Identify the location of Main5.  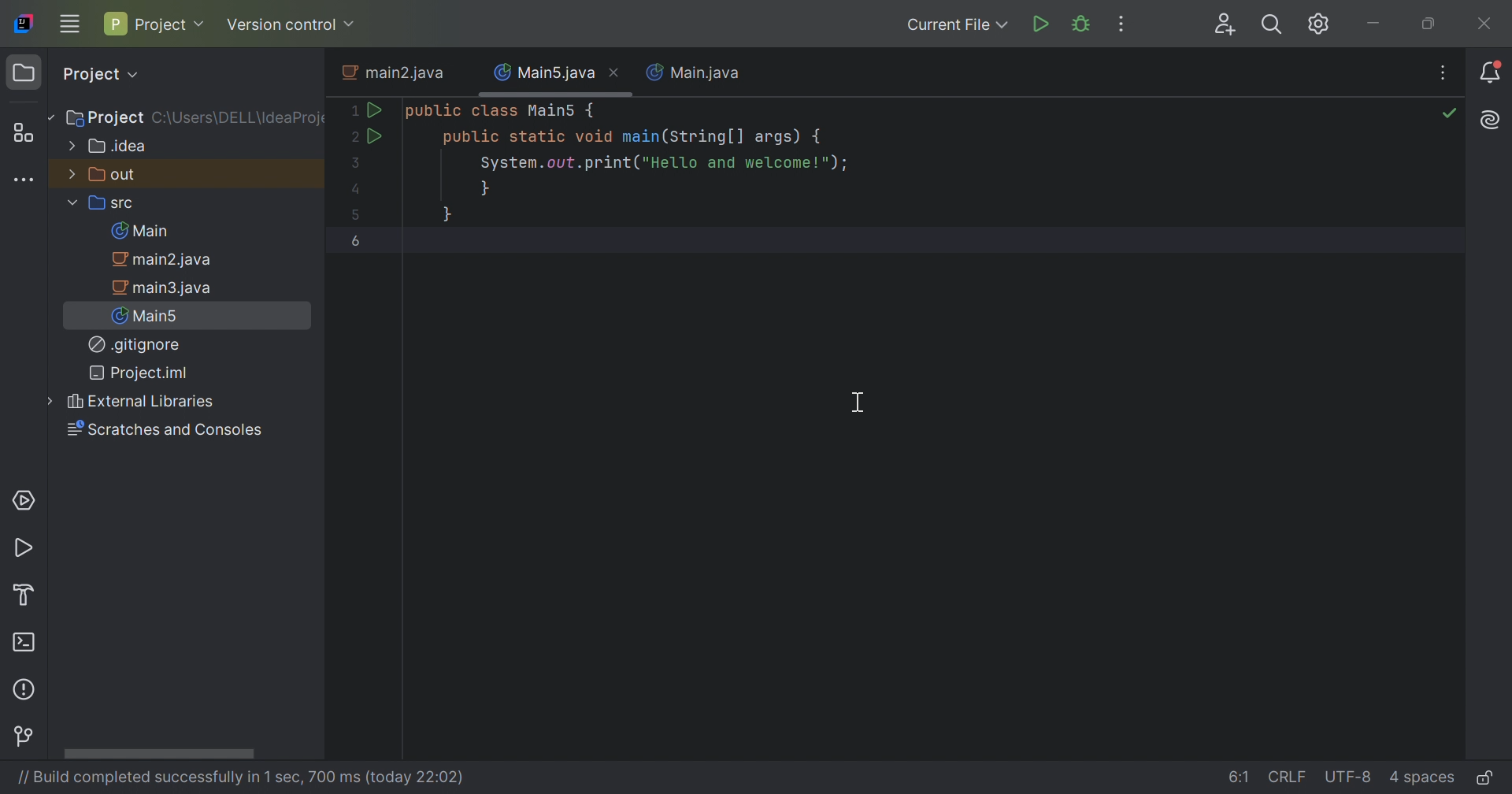
(150, 315).